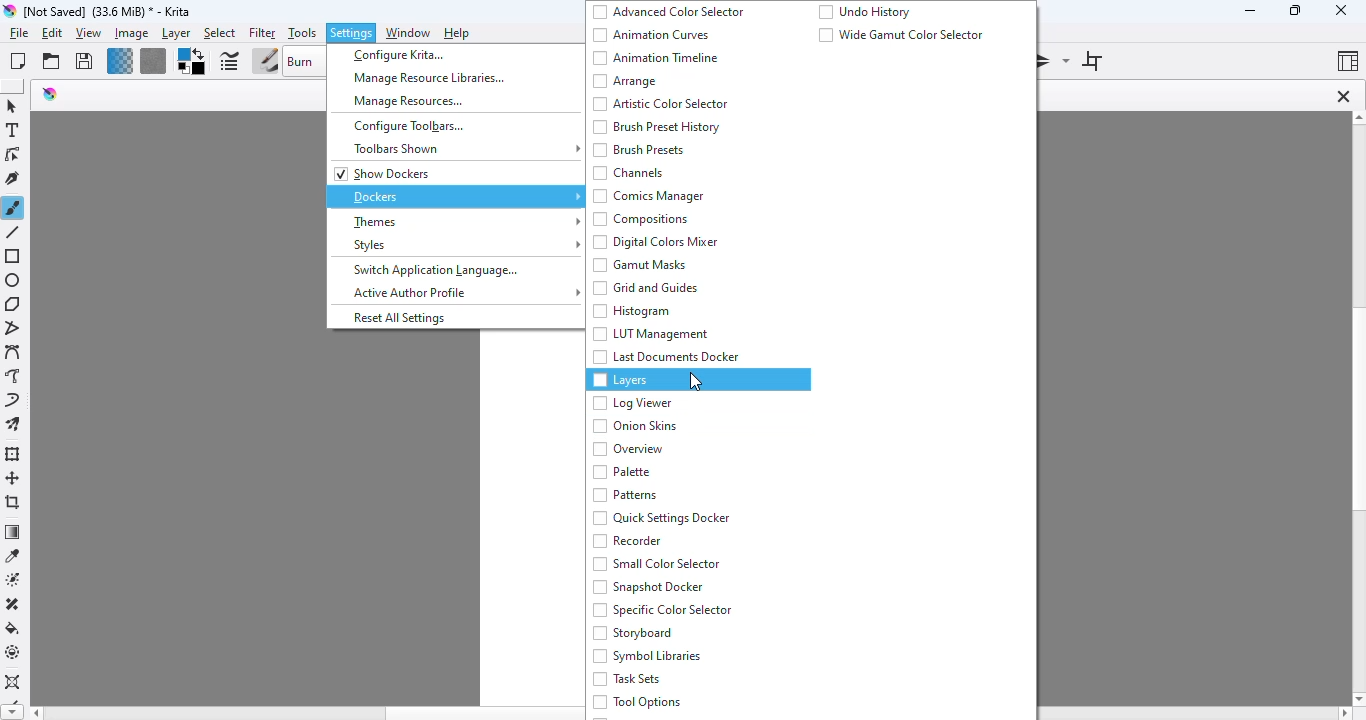 The height and width of the screenshot is (720, 1366). Describe the element at coordinates (229, 62) in the screenshot. I see `edit brush settings` at that location.